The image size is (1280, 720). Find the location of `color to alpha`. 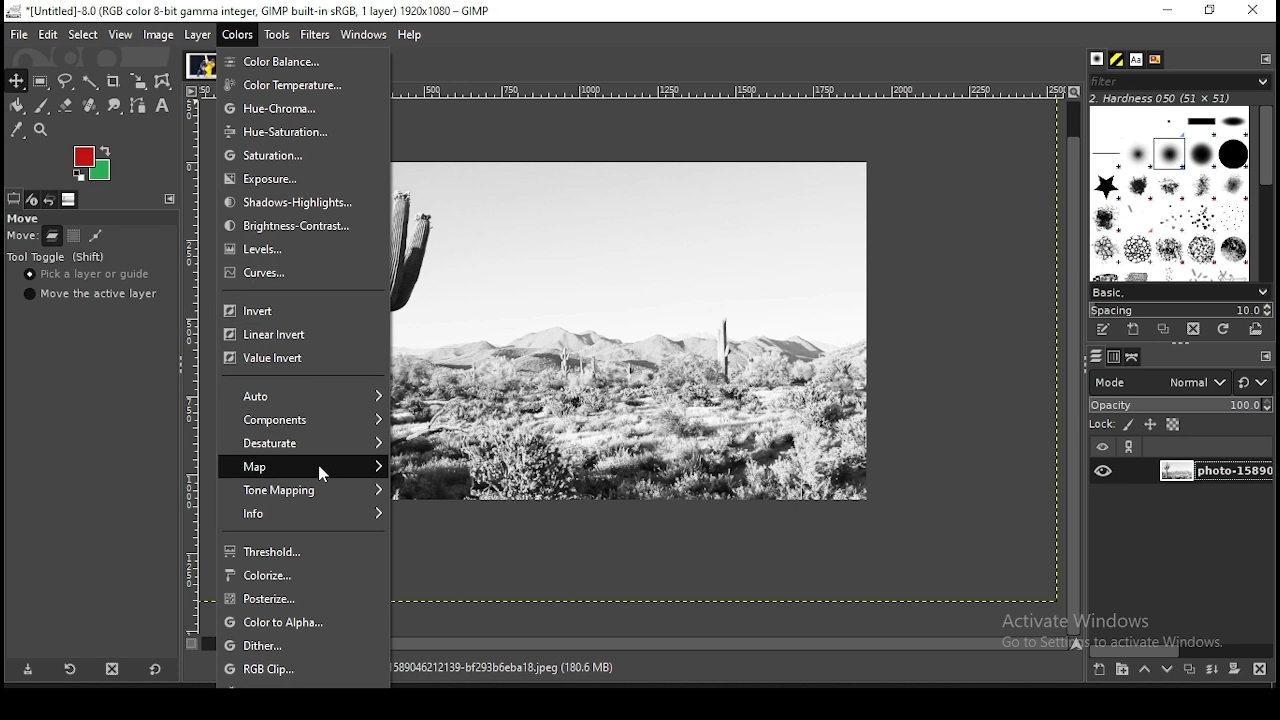

color to alpha is located at coordinates (305, 623).